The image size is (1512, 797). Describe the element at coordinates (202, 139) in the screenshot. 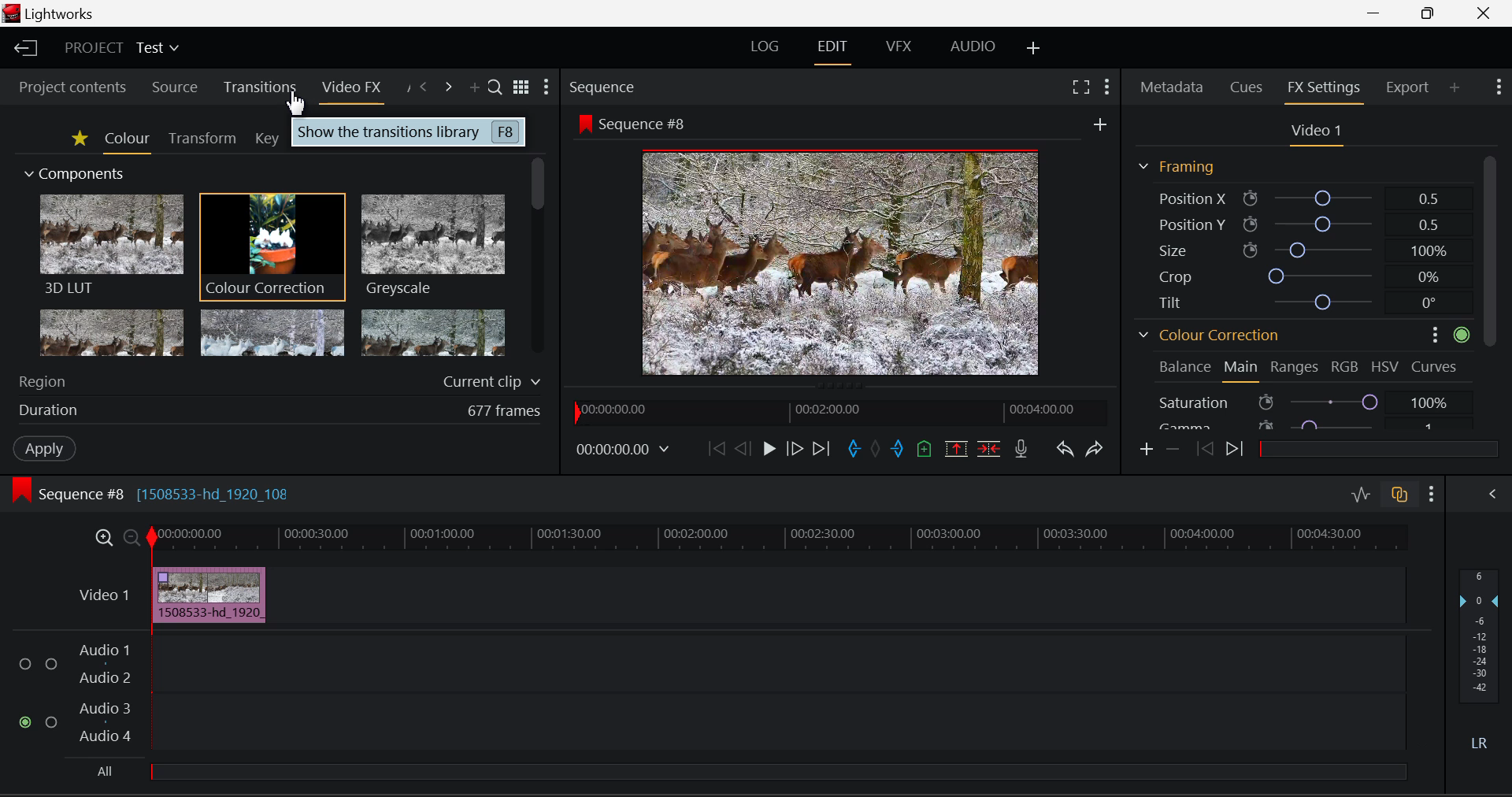

I see `Transform` at that location.